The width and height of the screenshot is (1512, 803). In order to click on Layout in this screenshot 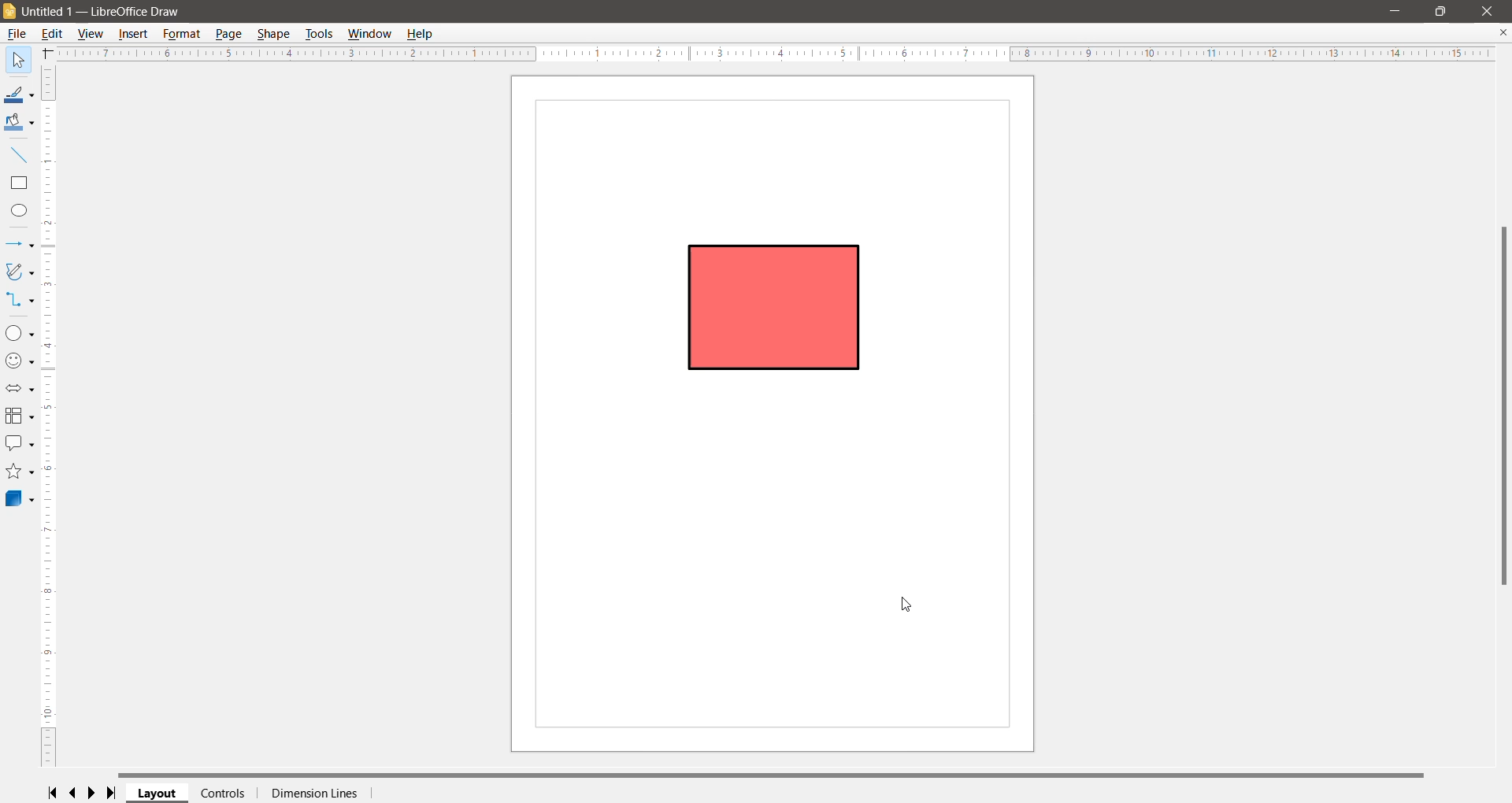, I will do `click(157, 794)`.